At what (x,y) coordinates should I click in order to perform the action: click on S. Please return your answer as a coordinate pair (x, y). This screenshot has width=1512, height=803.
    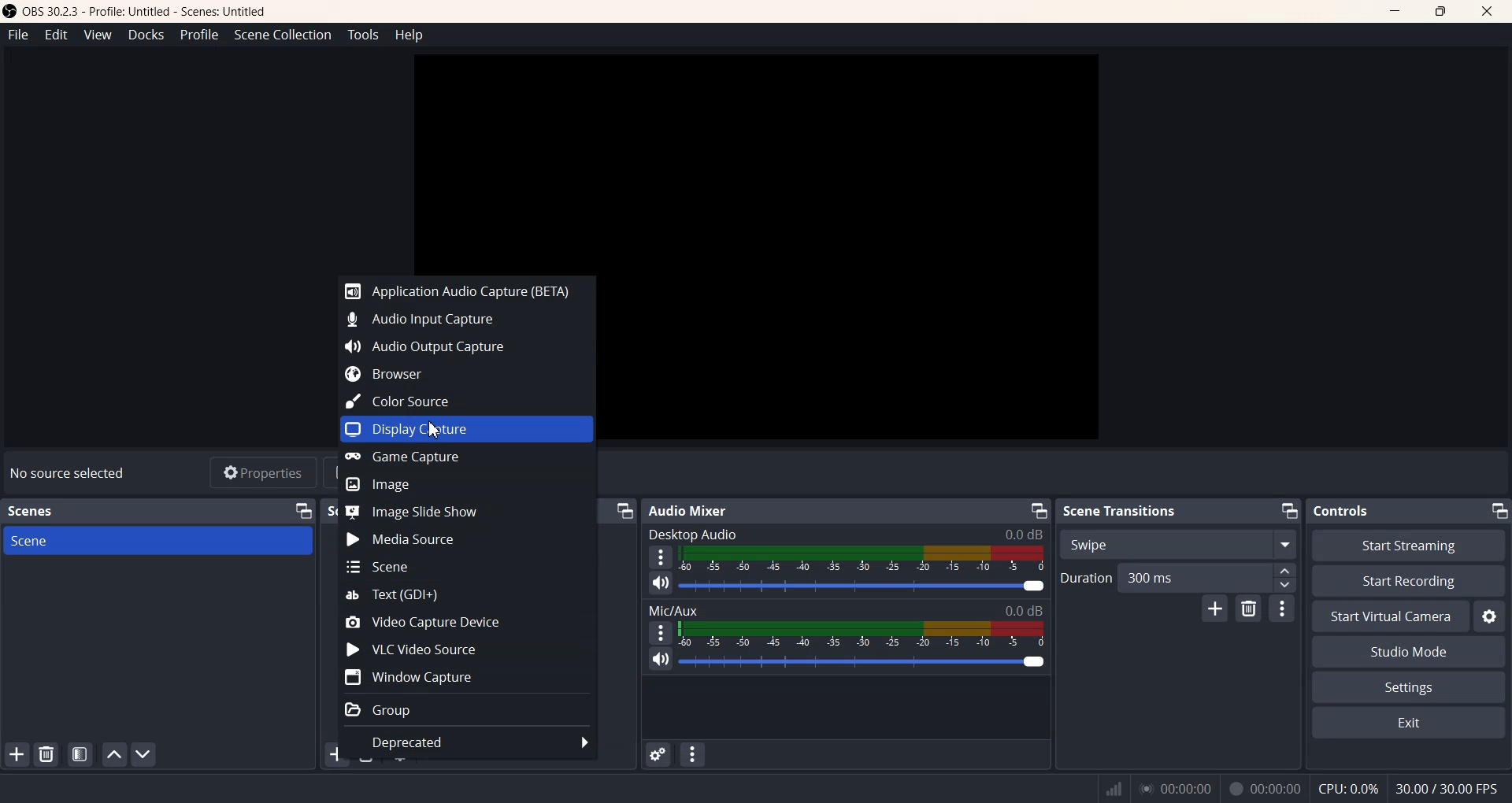
    Looking at the image, I should click on (332, 510).